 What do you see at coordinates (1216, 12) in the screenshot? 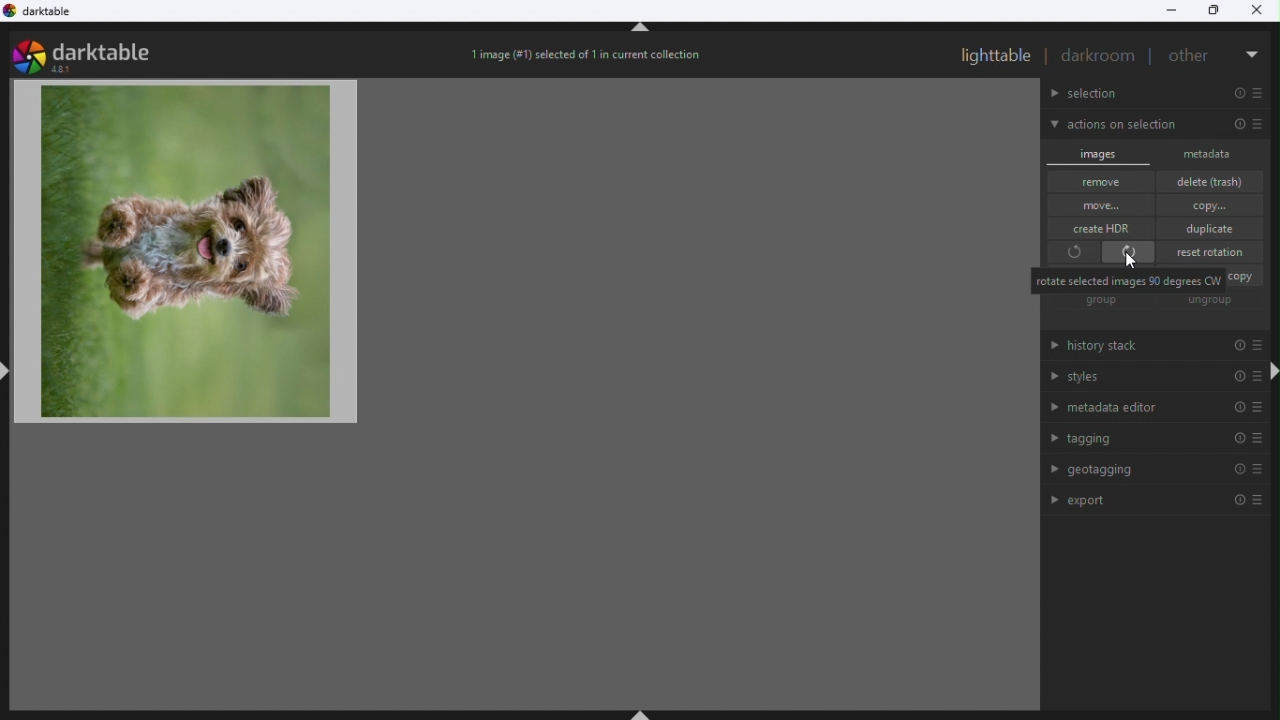
I see `Restore` at bounding box center [1216, 12].